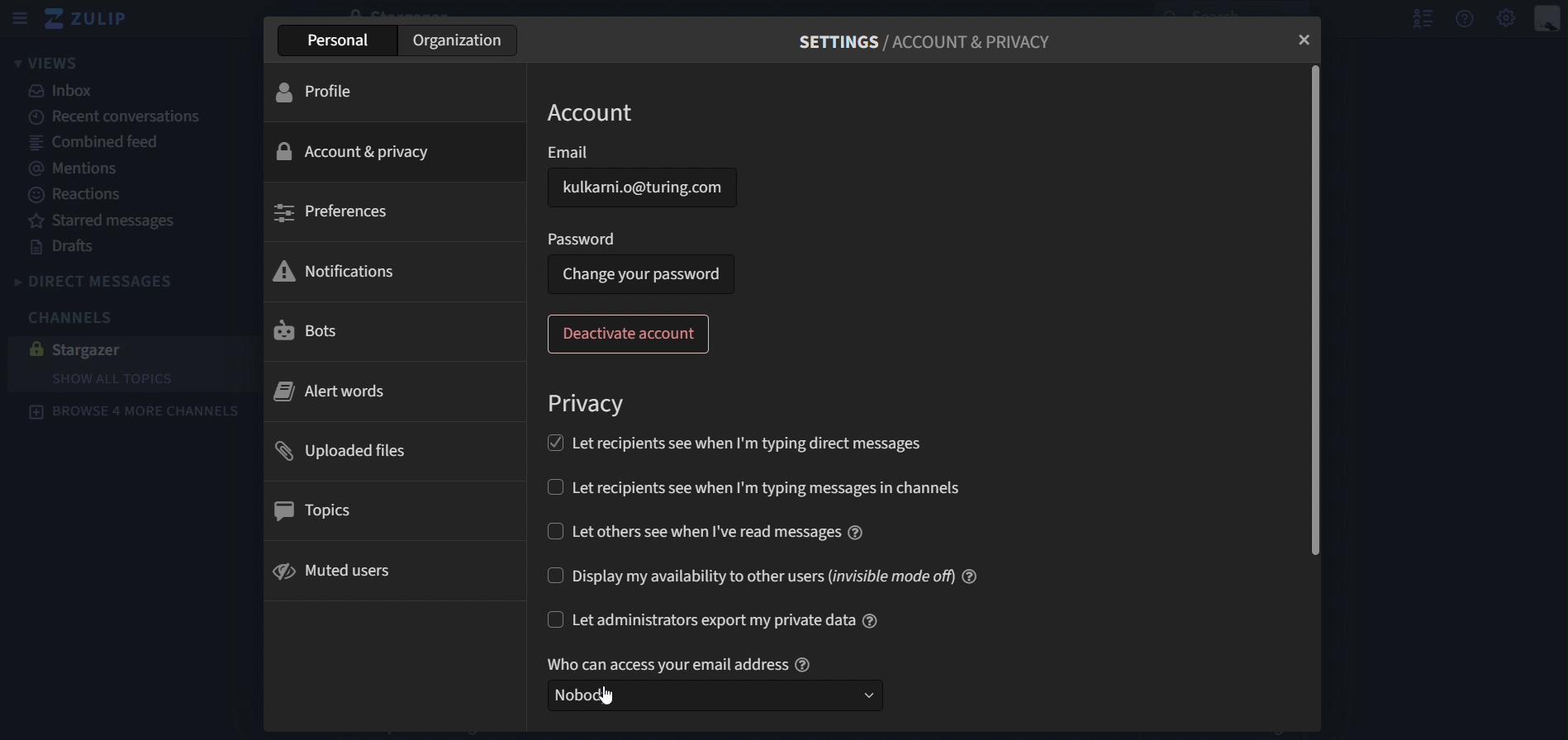 This screenshot has width=1568, height=740. I want to click on show all topics, so click(113, 378).